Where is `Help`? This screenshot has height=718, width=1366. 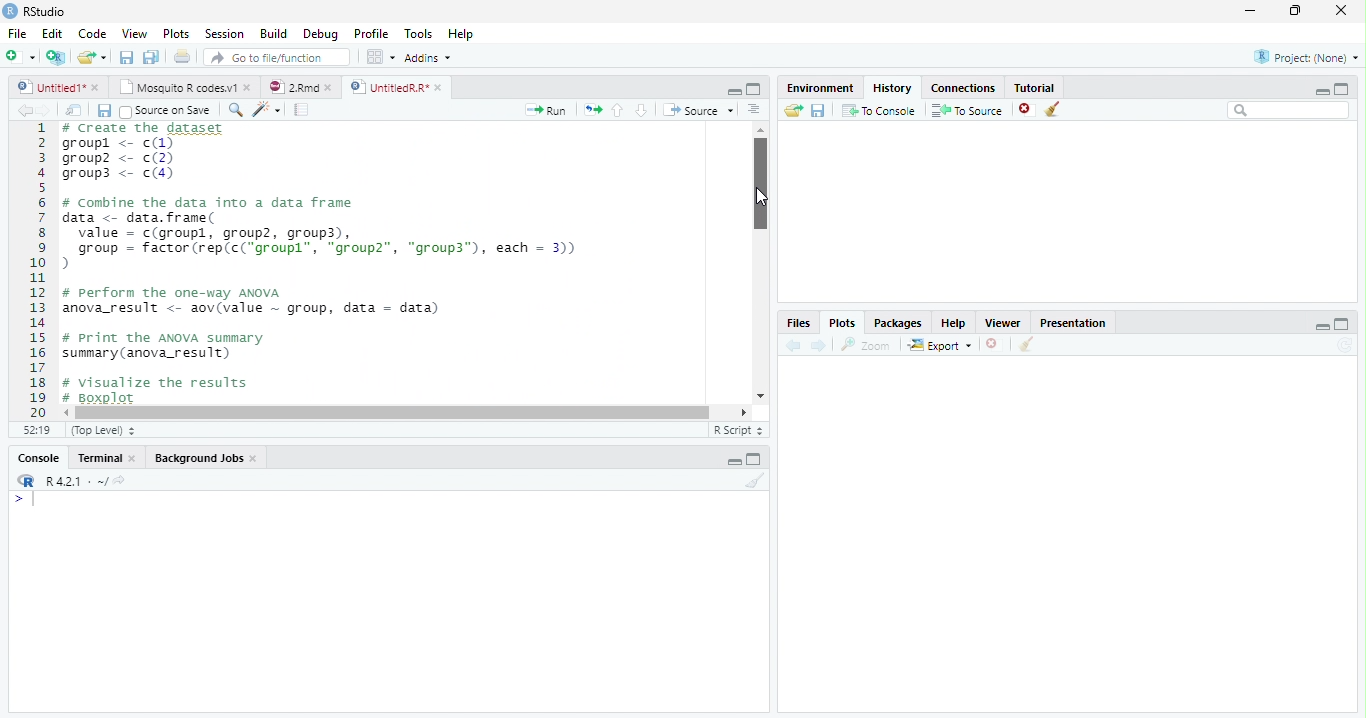
Help is located at coordinates (460, 36).